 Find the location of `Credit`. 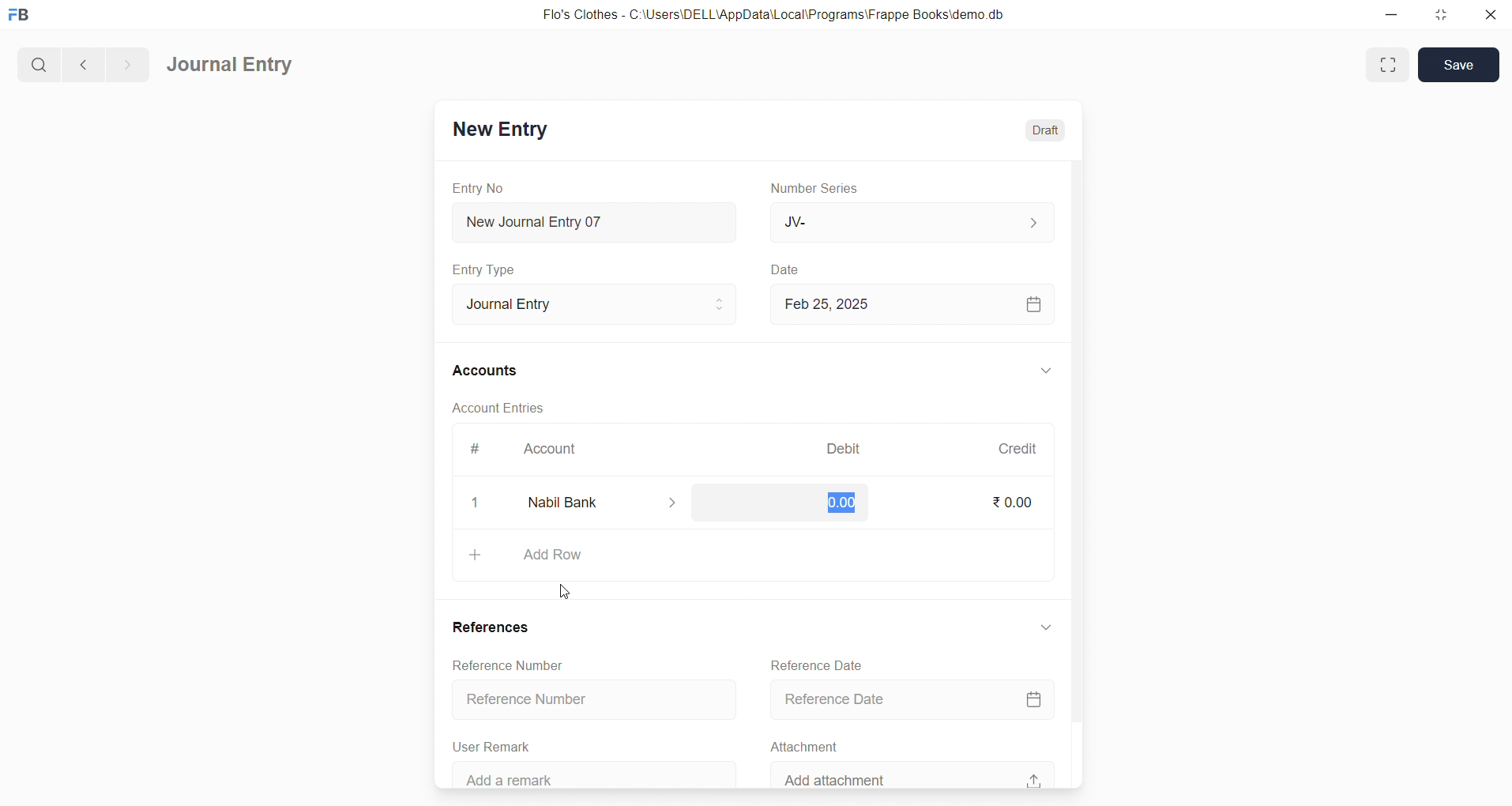

Credit is located at coordinates (1017, 448).